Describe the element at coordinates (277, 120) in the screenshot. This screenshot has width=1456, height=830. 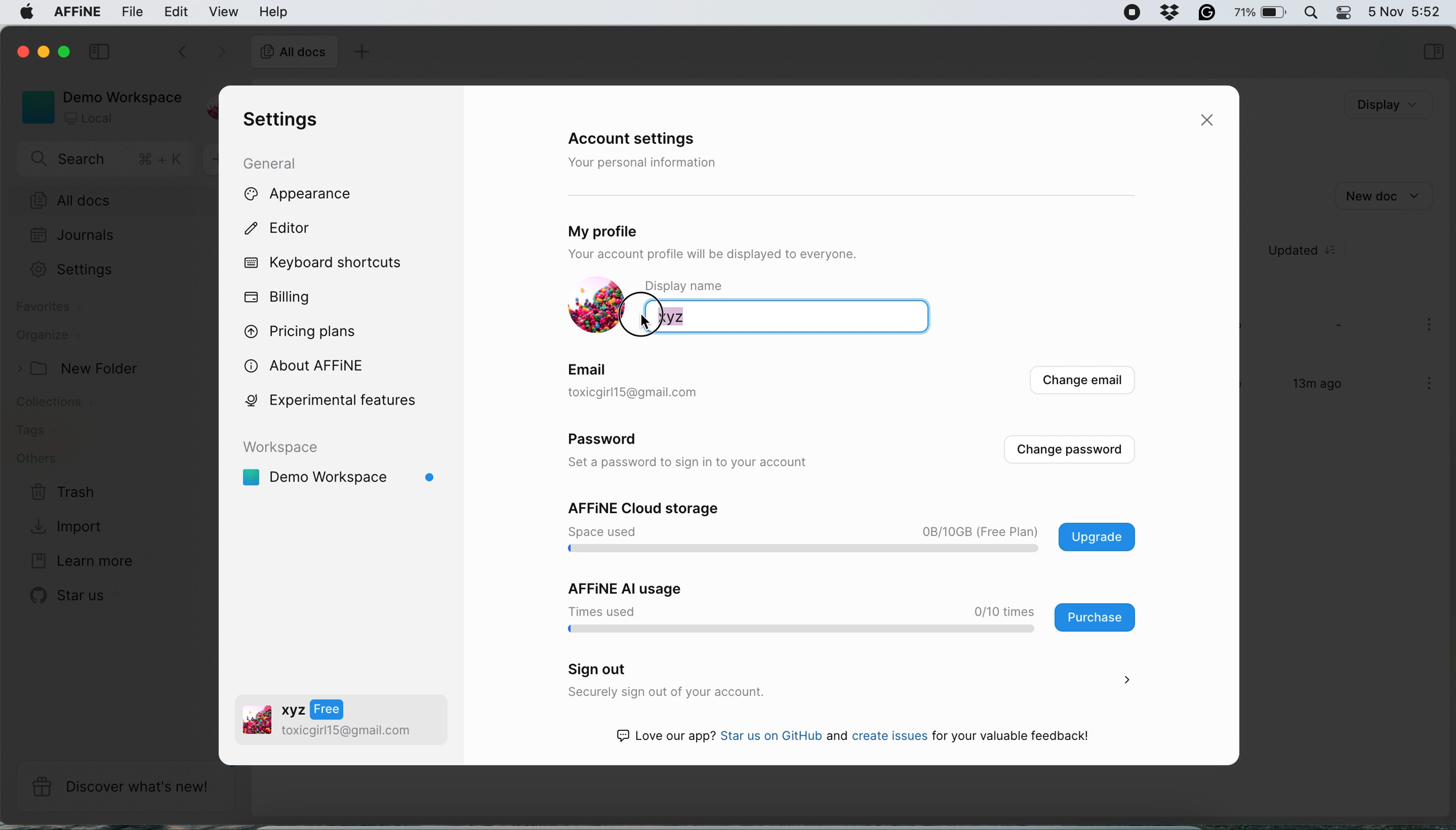
I see `settings` at that location.